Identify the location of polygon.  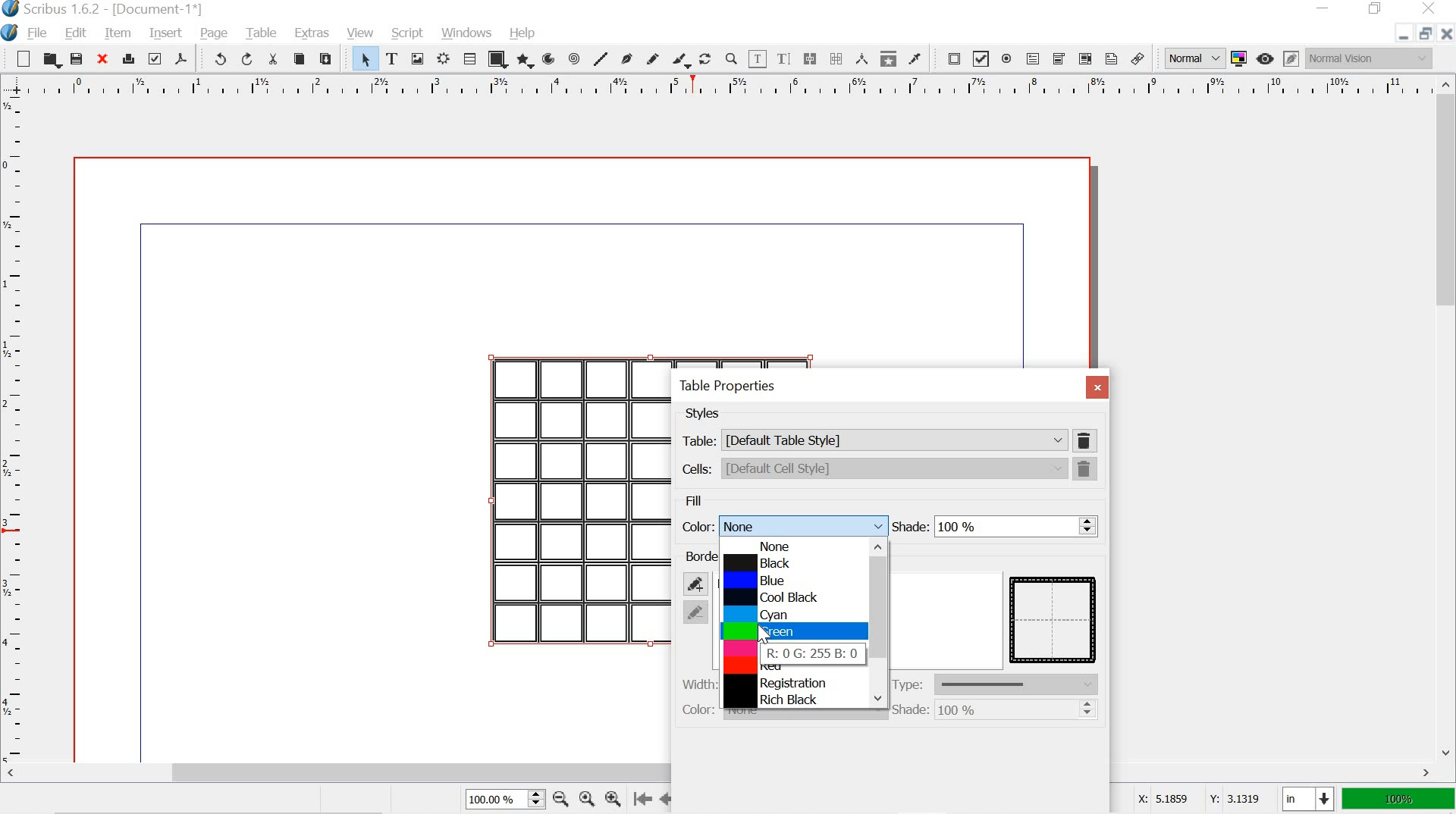
(524, 58).